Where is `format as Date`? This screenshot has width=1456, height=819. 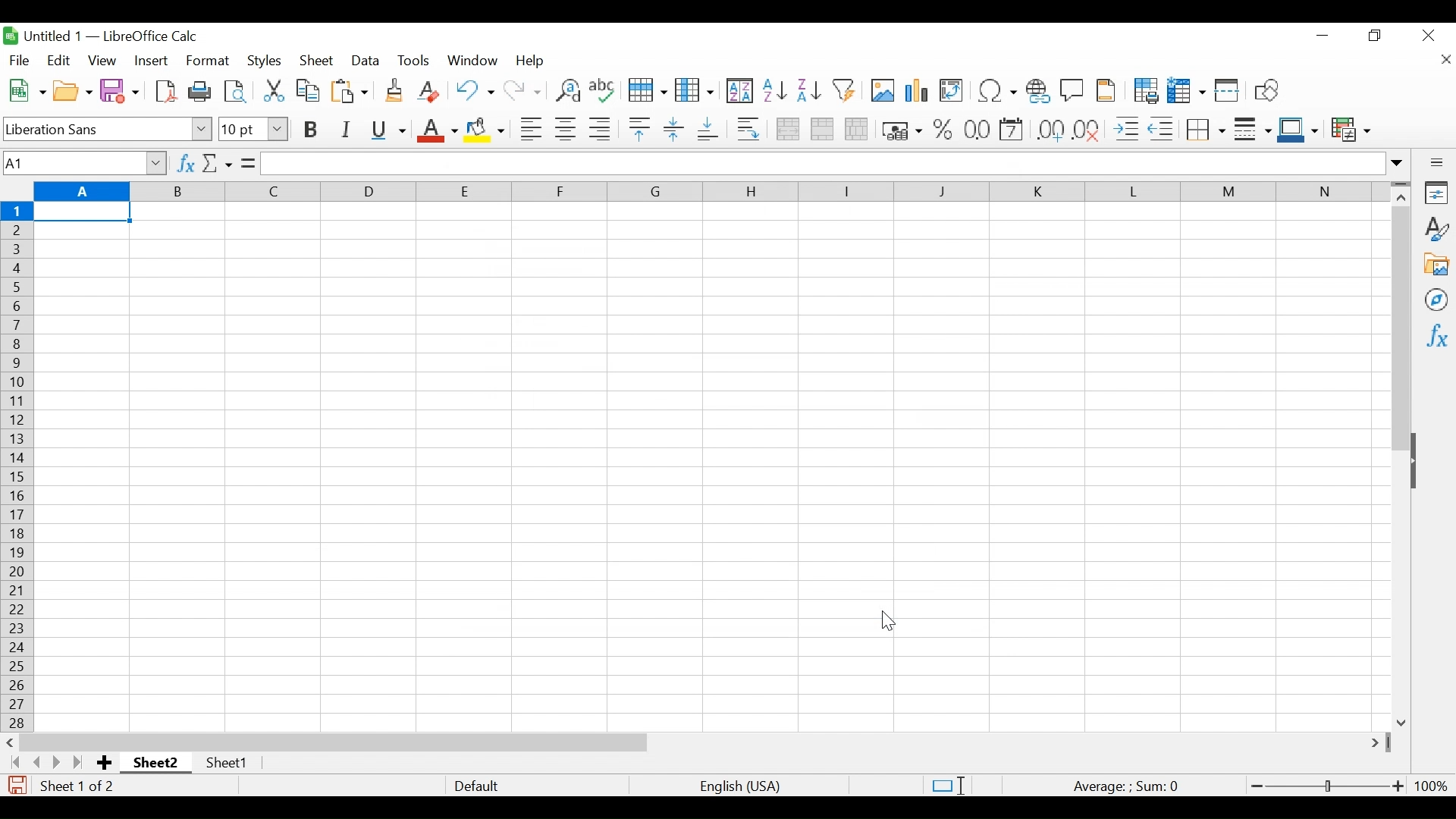 format as Date is located at coordinates (1012, 131).